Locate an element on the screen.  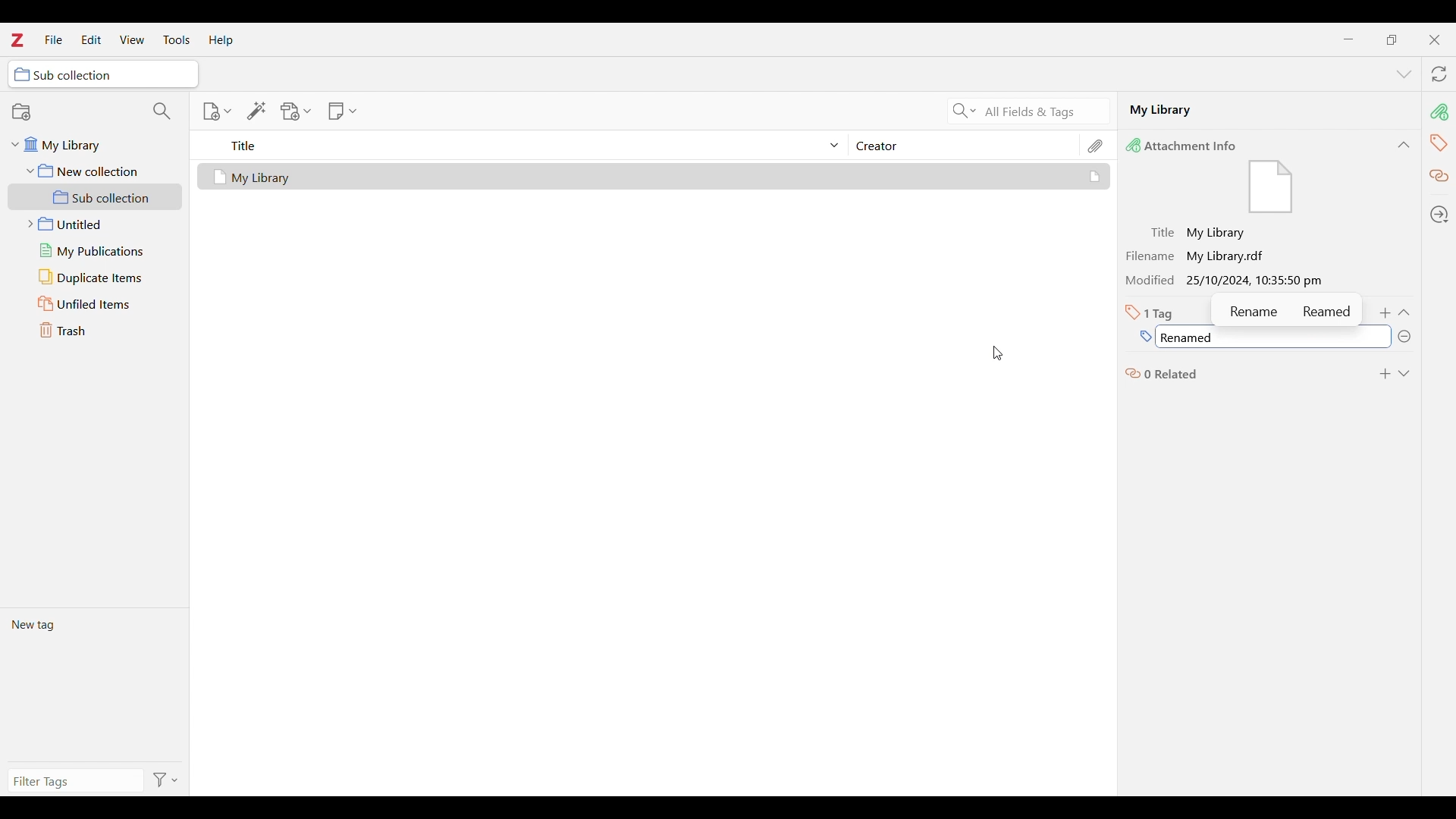
Attachment Info is located at coordinates (1185, 145).